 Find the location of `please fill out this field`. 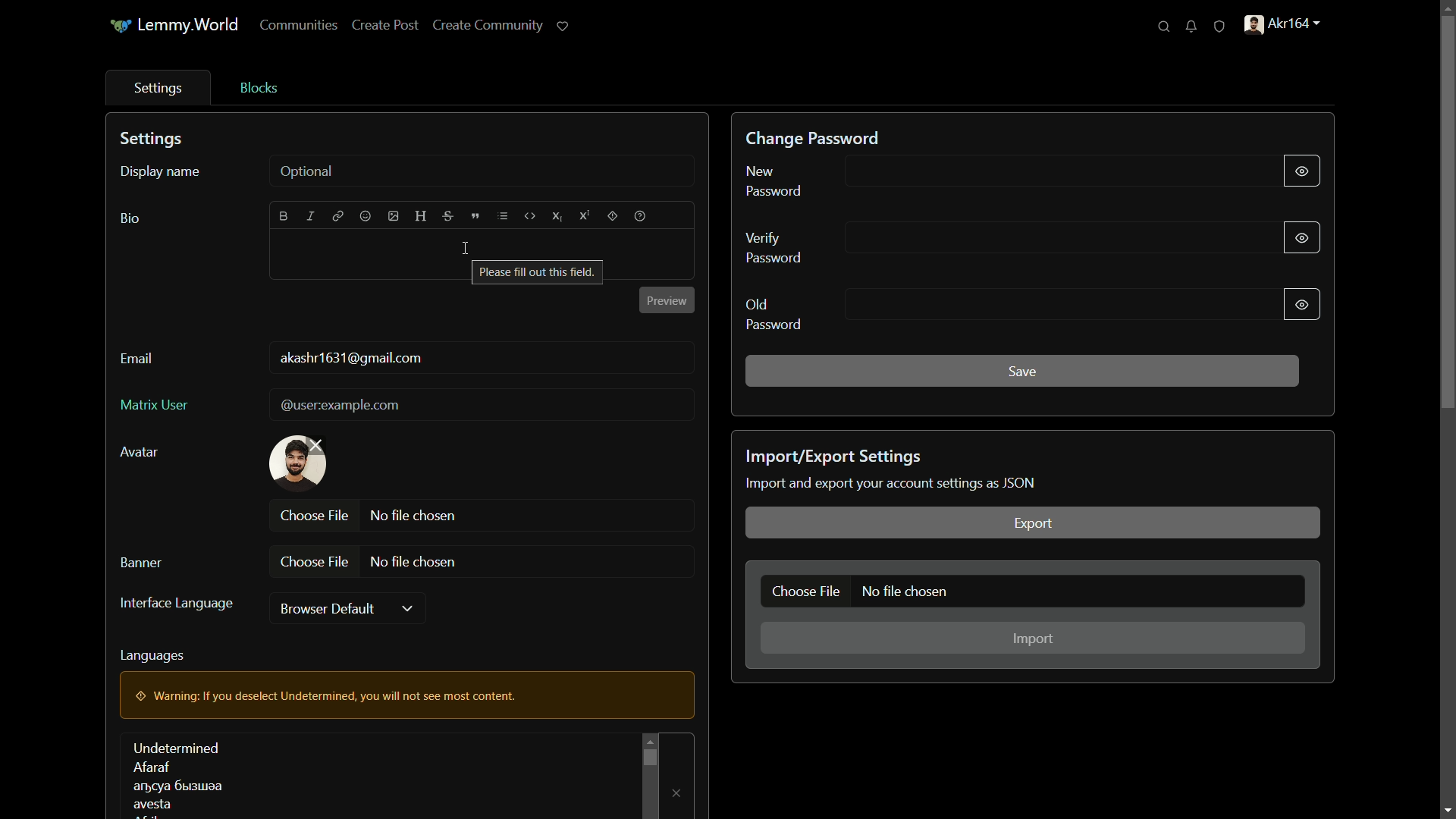

please fill out this field is located at coordinates (538, 272).